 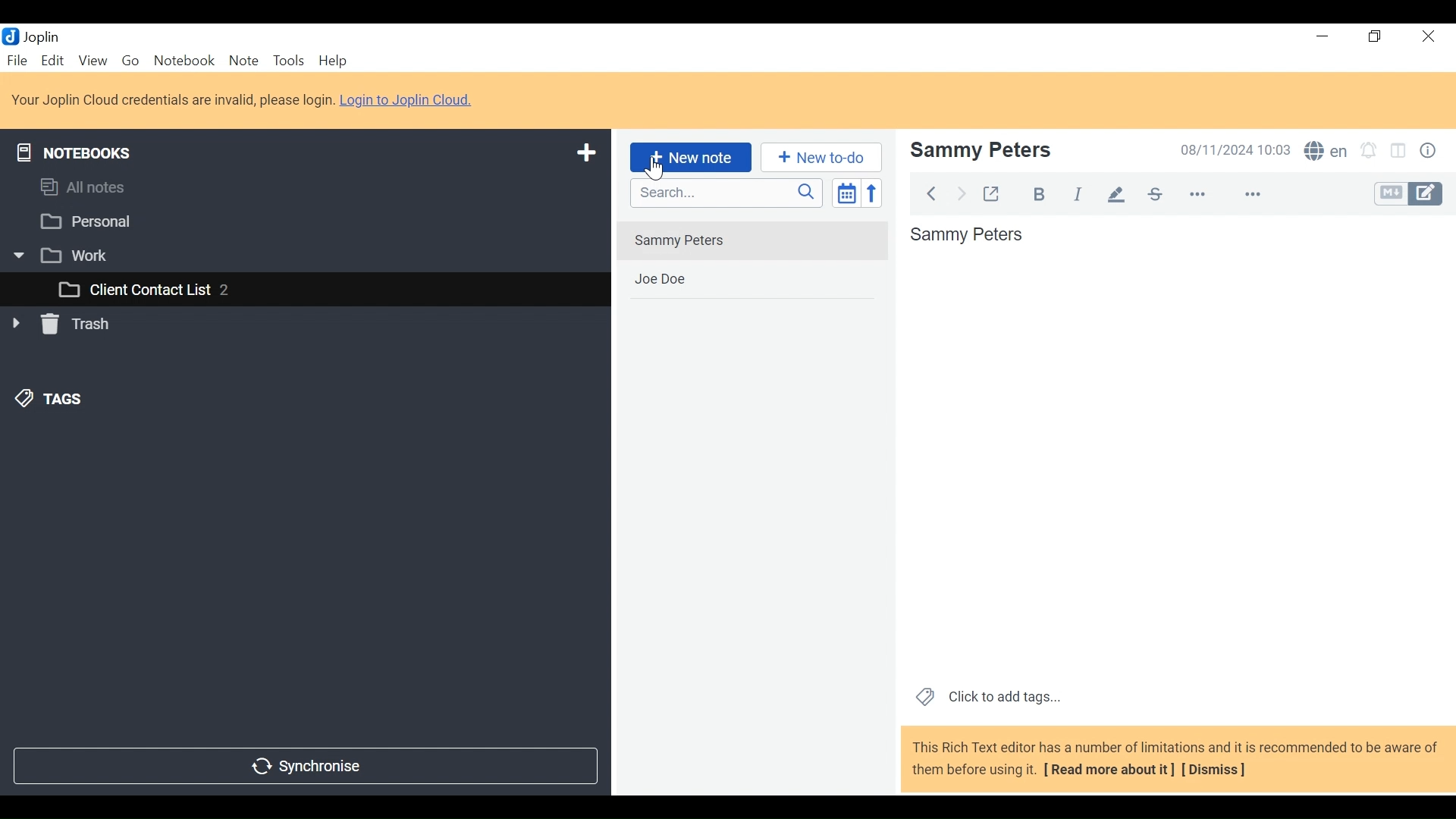 What do you see at coordinates (752, 280) in the screenshot?
I see `Jon Doe` at bounding box center [752, 280].